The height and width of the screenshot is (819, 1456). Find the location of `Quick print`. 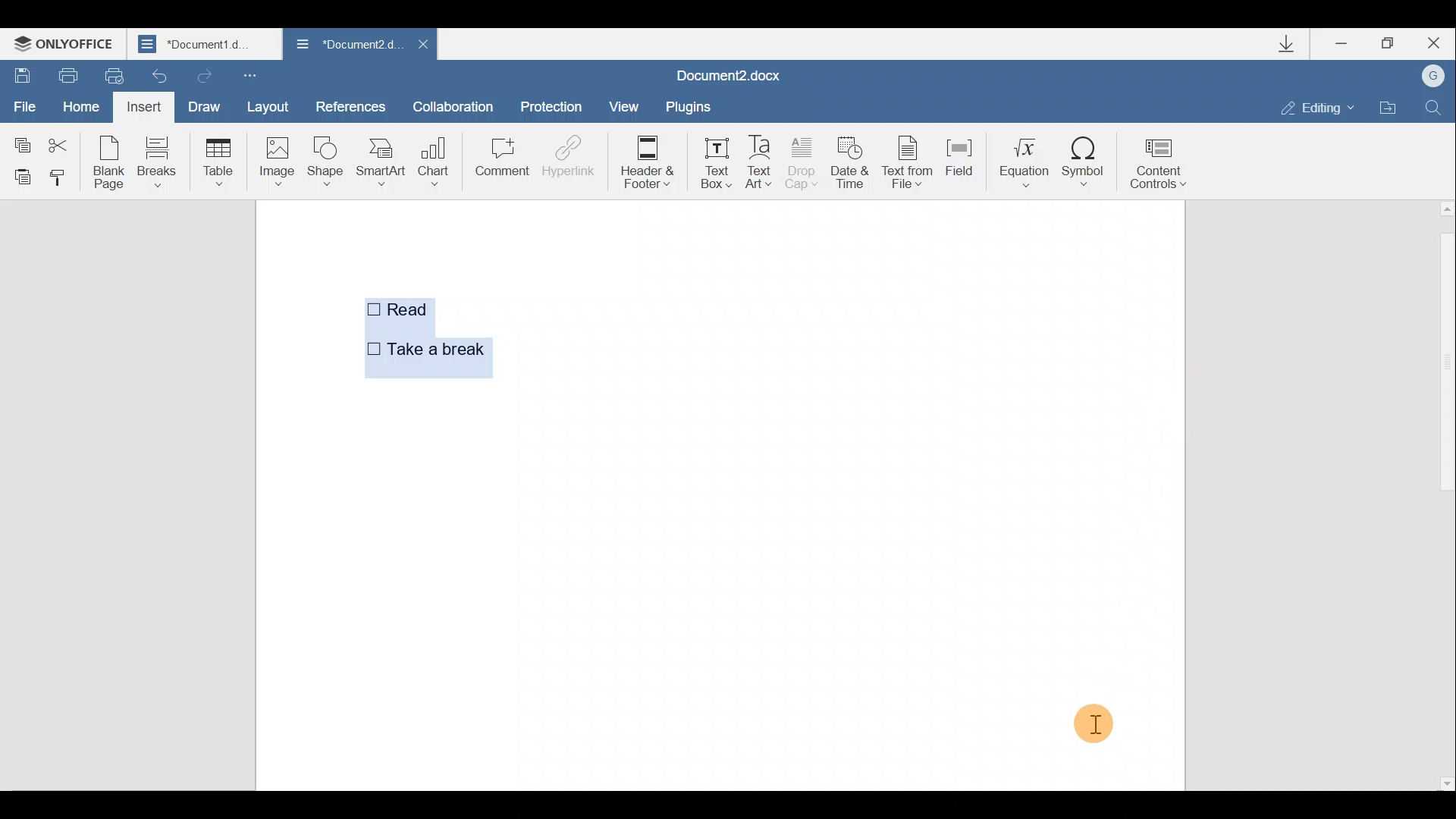

Quick print is located at coordinates (108, 74).